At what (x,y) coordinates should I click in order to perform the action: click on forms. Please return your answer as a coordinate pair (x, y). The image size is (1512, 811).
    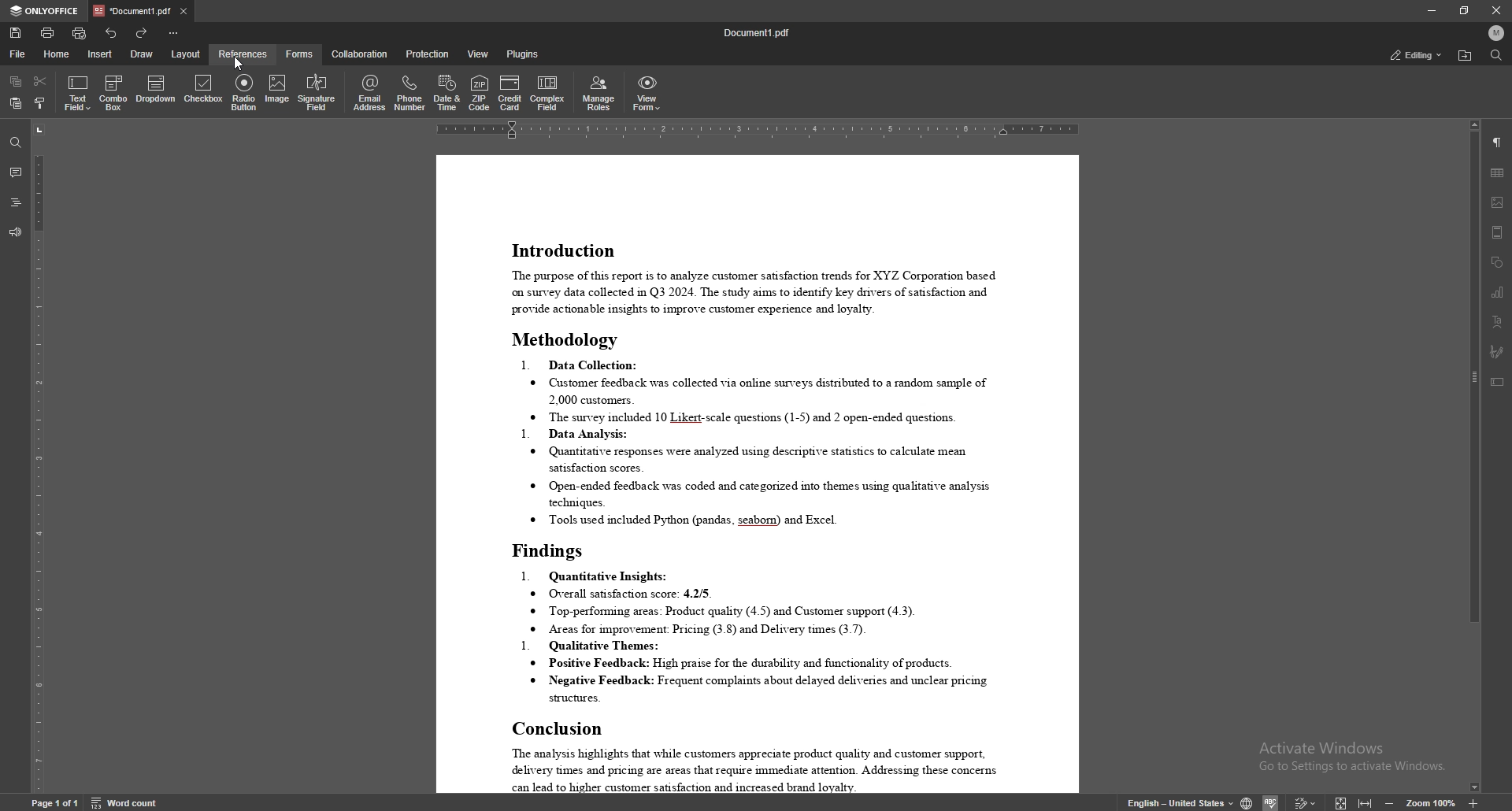
    Looking at the image, I should click on (299, 54).